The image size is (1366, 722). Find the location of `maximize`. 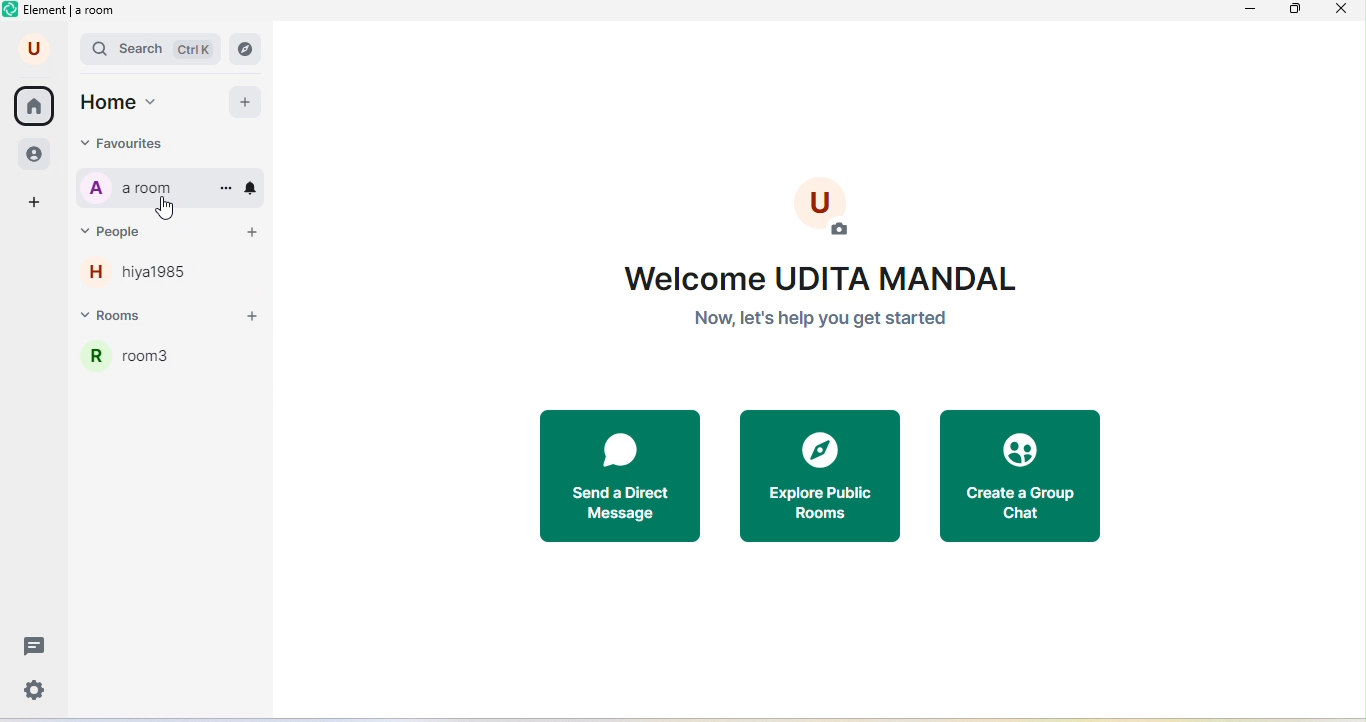

maximize is located at coordinates (1296, 10).